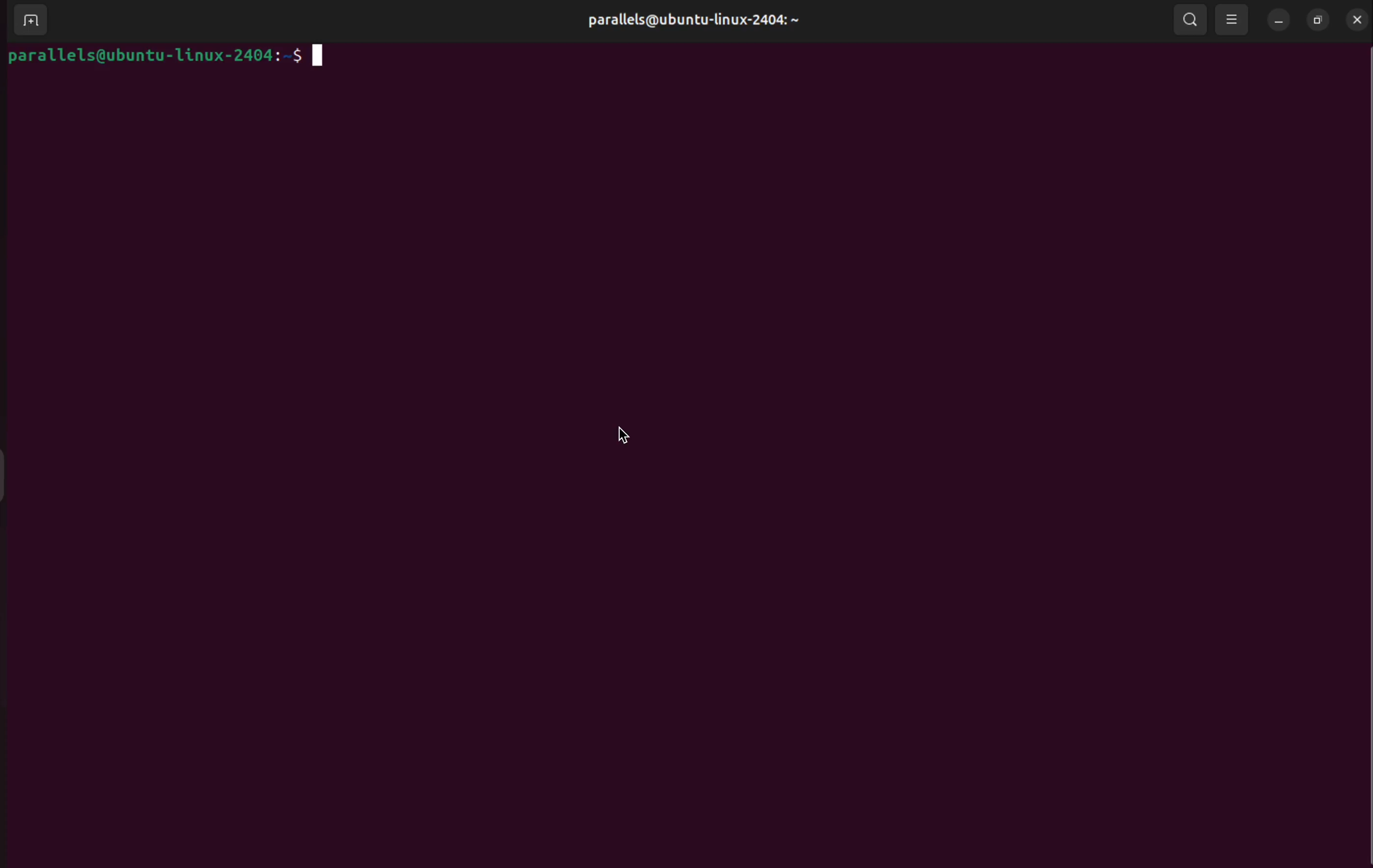  Describe the element at coordinates (1318, 20) in the screenshot. I see `resize` at that location.